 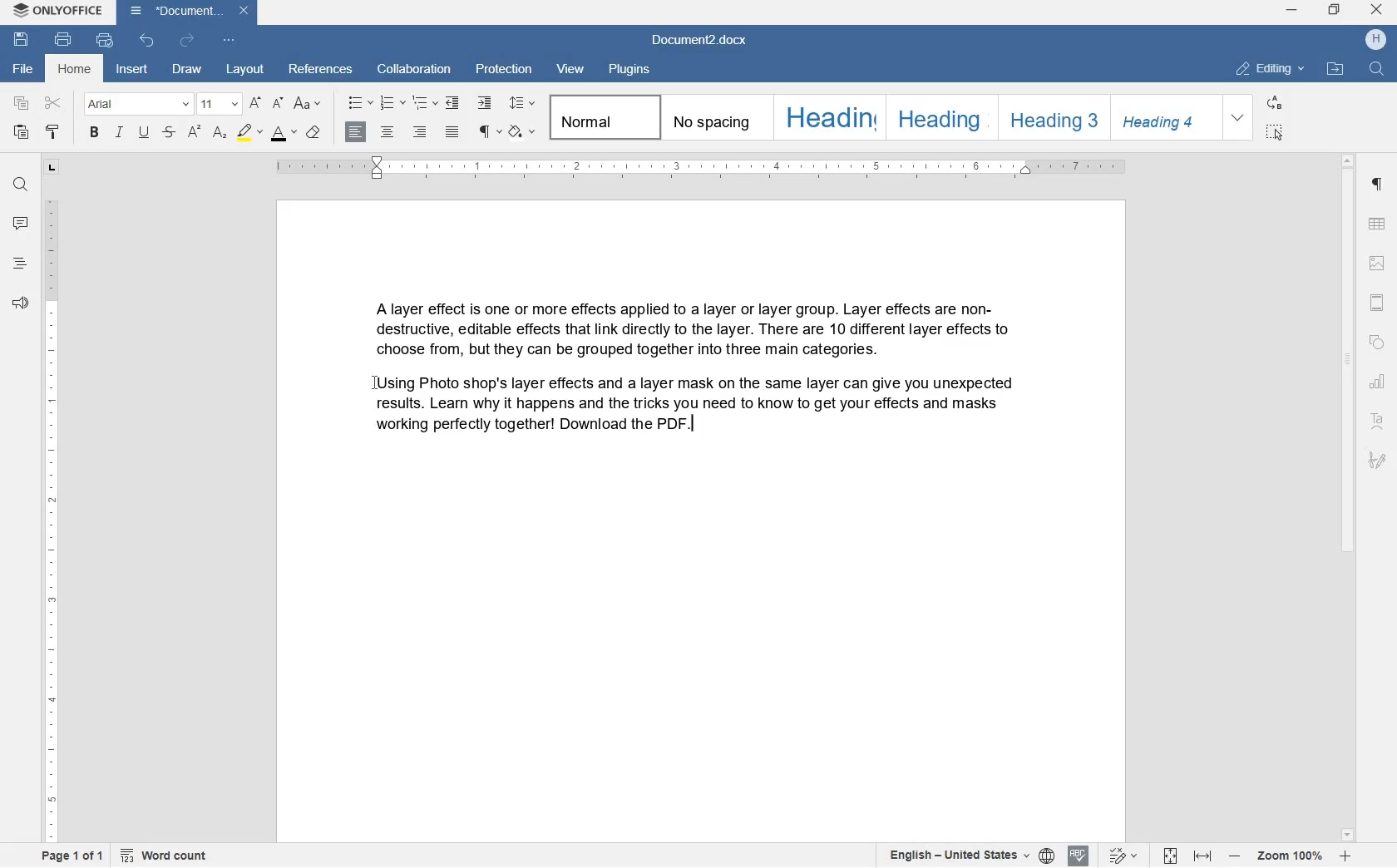 I want to click on LEFT ALIGNMENT, so click(x=356, y=133).